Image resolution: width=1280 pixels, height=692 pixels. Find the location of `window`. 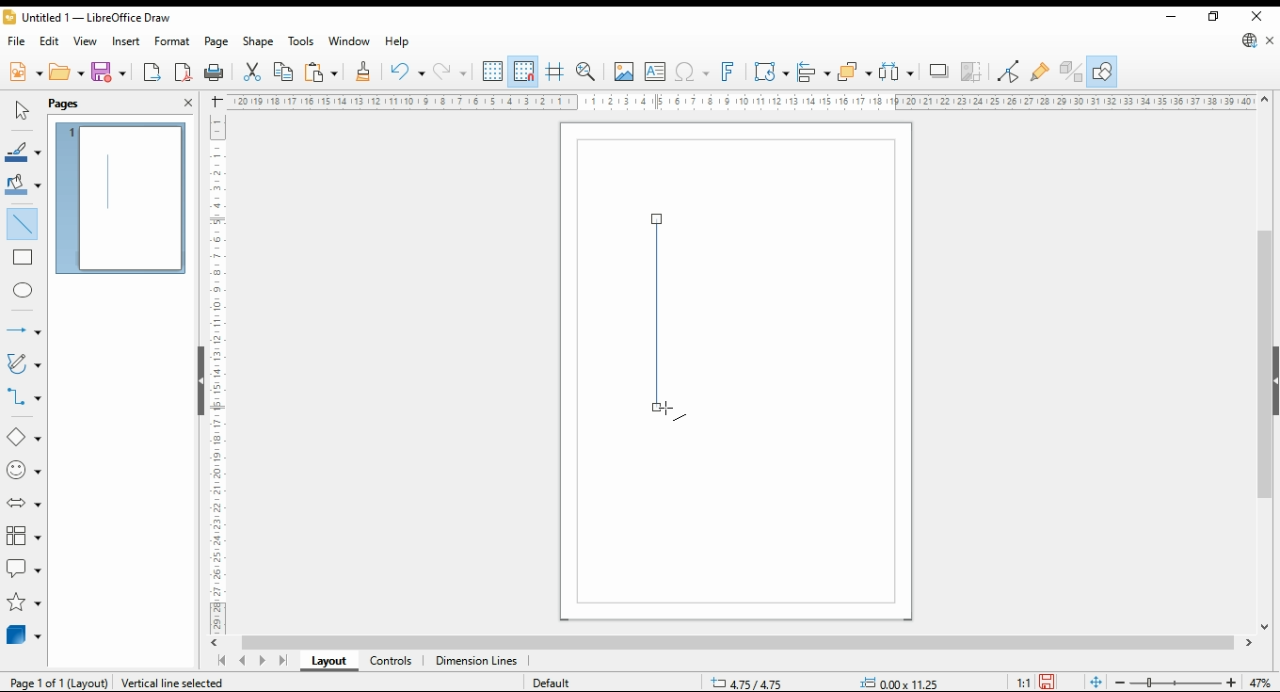

window is located at coordinates (350, 43).